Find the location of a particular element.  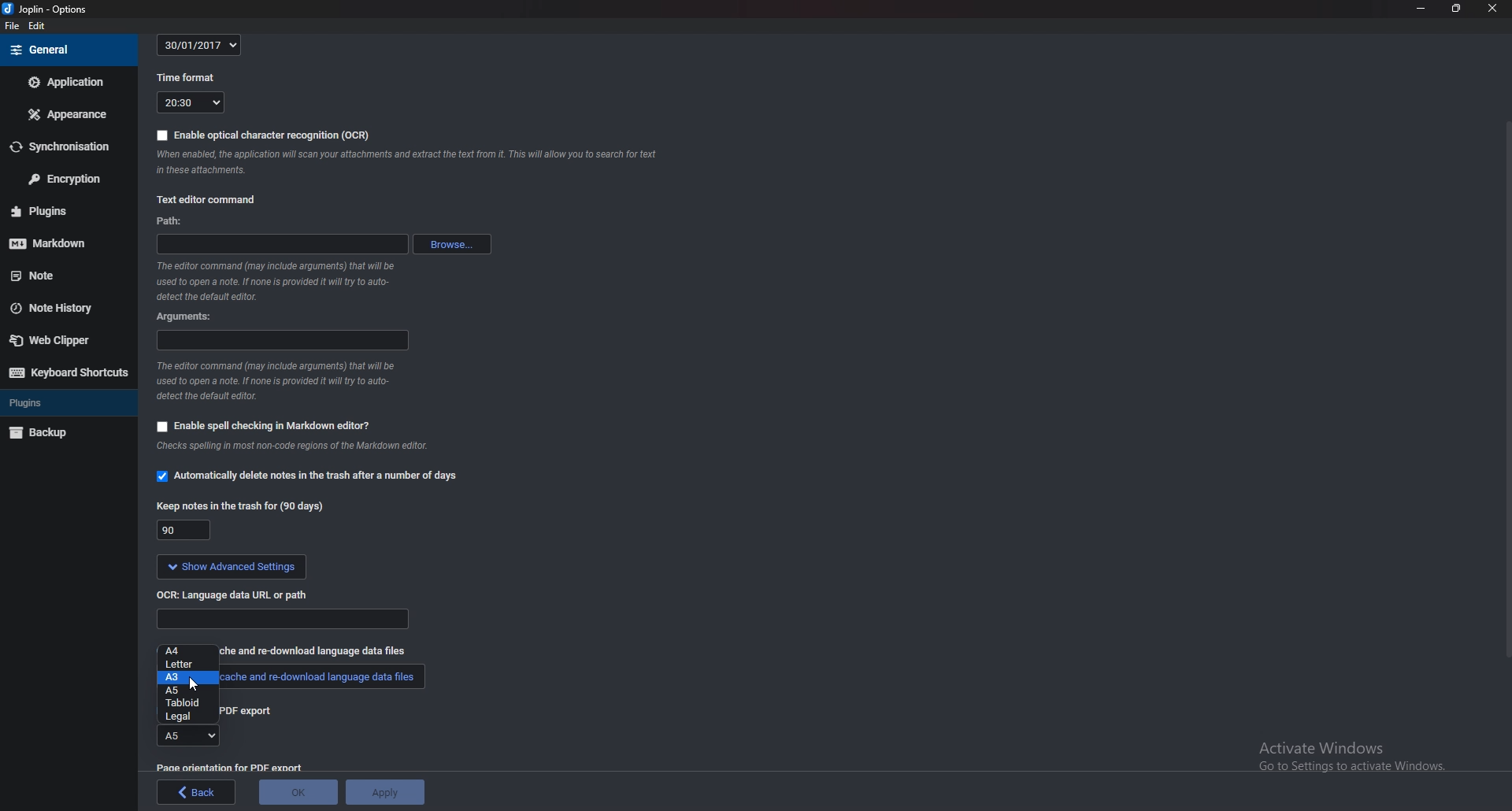

general is located at coordinates (67, 50).